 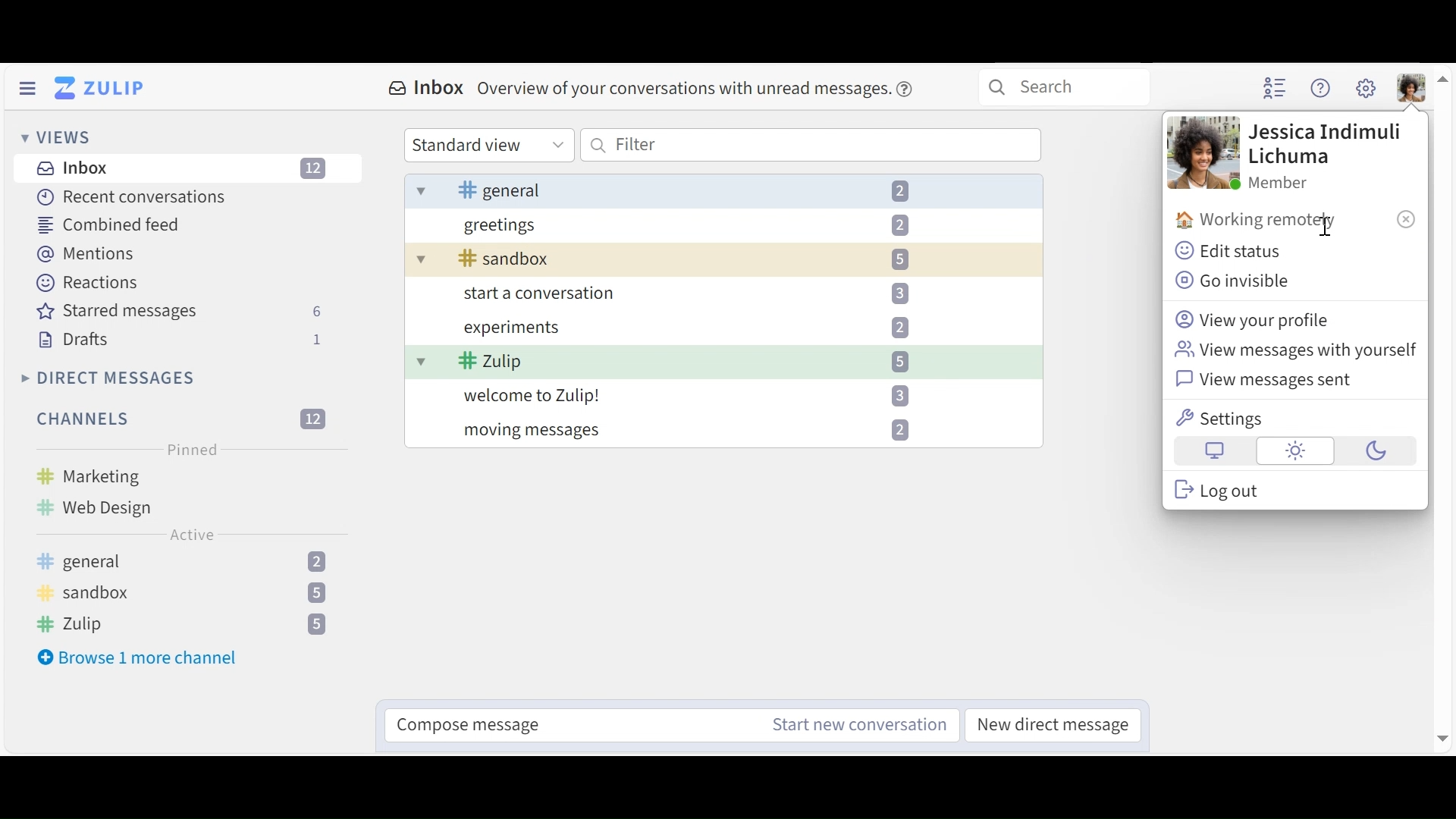 What do you see at coordinates (494, 189) in the screenshot?
I see `# general` at bounding box center [494, 189].